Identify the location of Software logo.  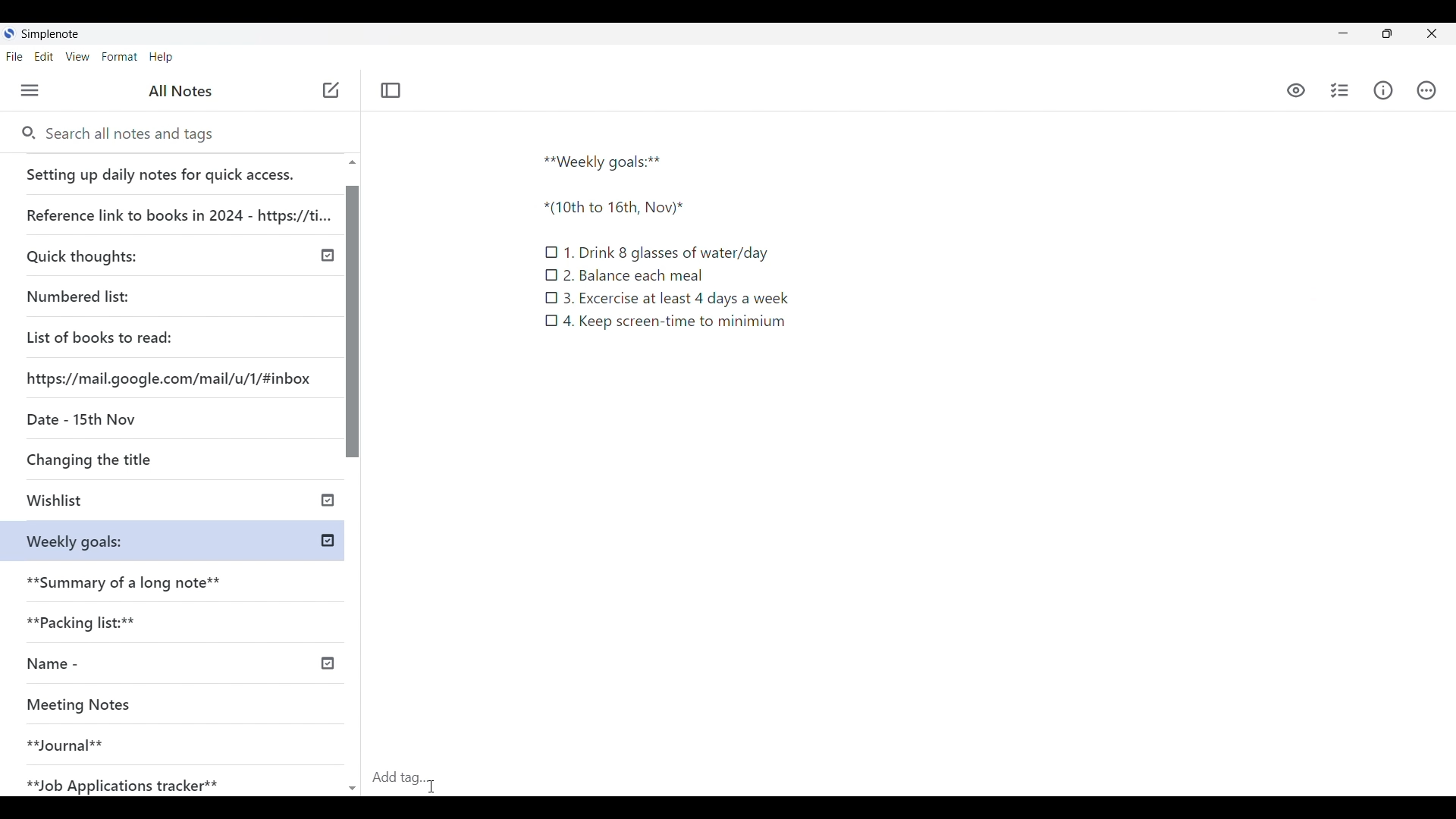
(10, 33).